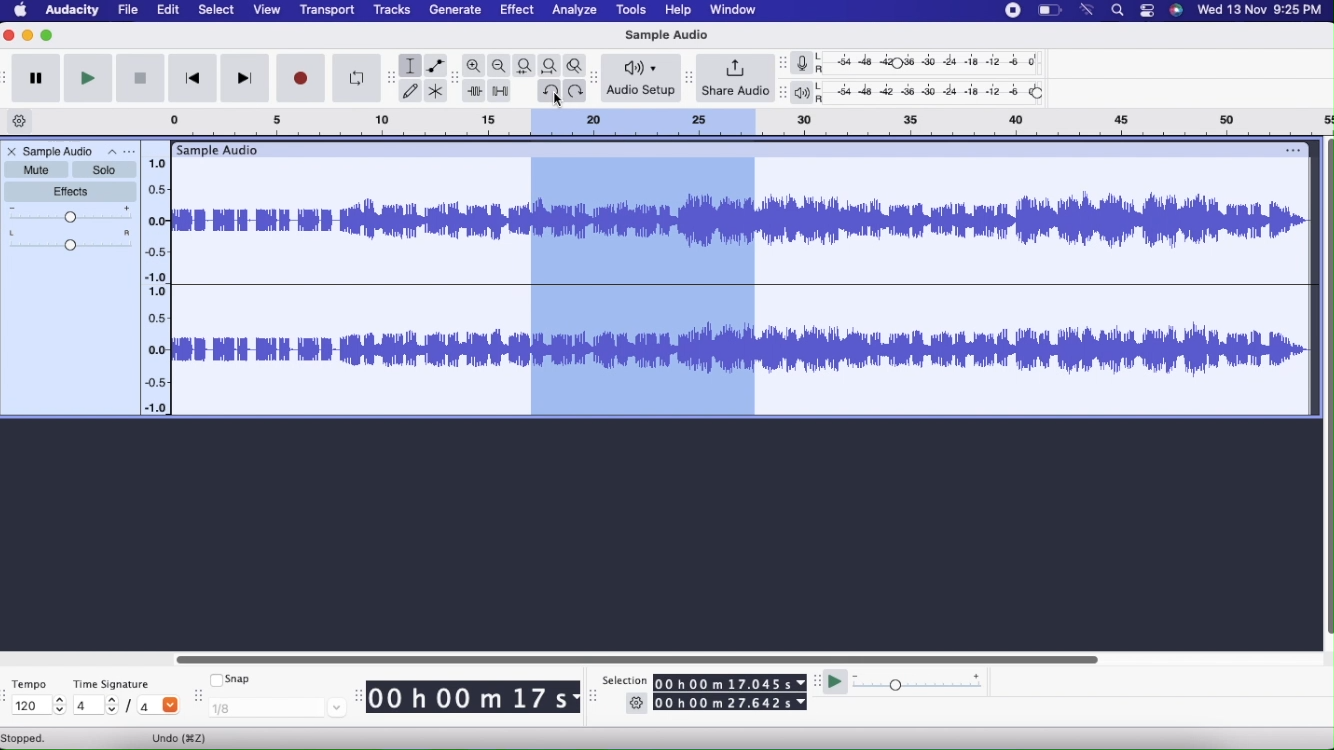 The height and width of the screenshot is (750, 1334). I want to click on Zoom in, so click(473, 65).